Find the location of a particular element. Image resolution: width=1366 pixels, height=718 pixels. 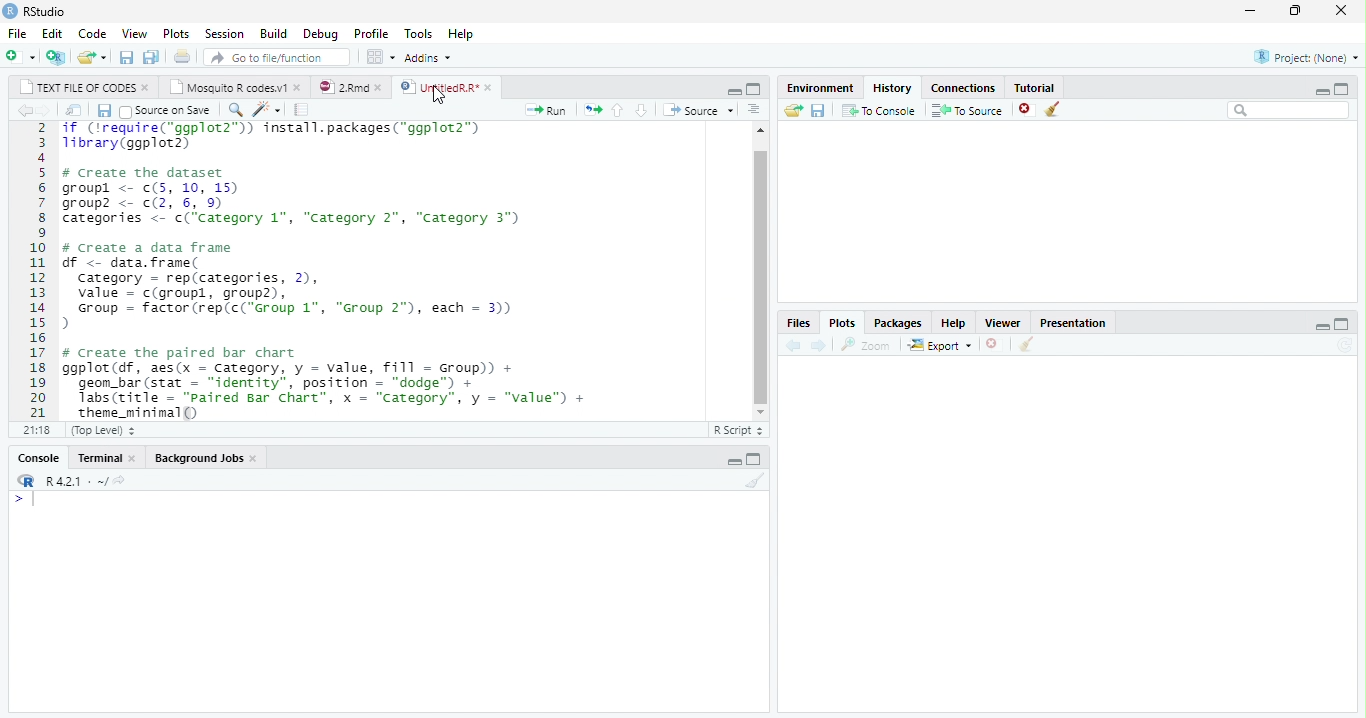

go forward is located at coordinates (42, 111).